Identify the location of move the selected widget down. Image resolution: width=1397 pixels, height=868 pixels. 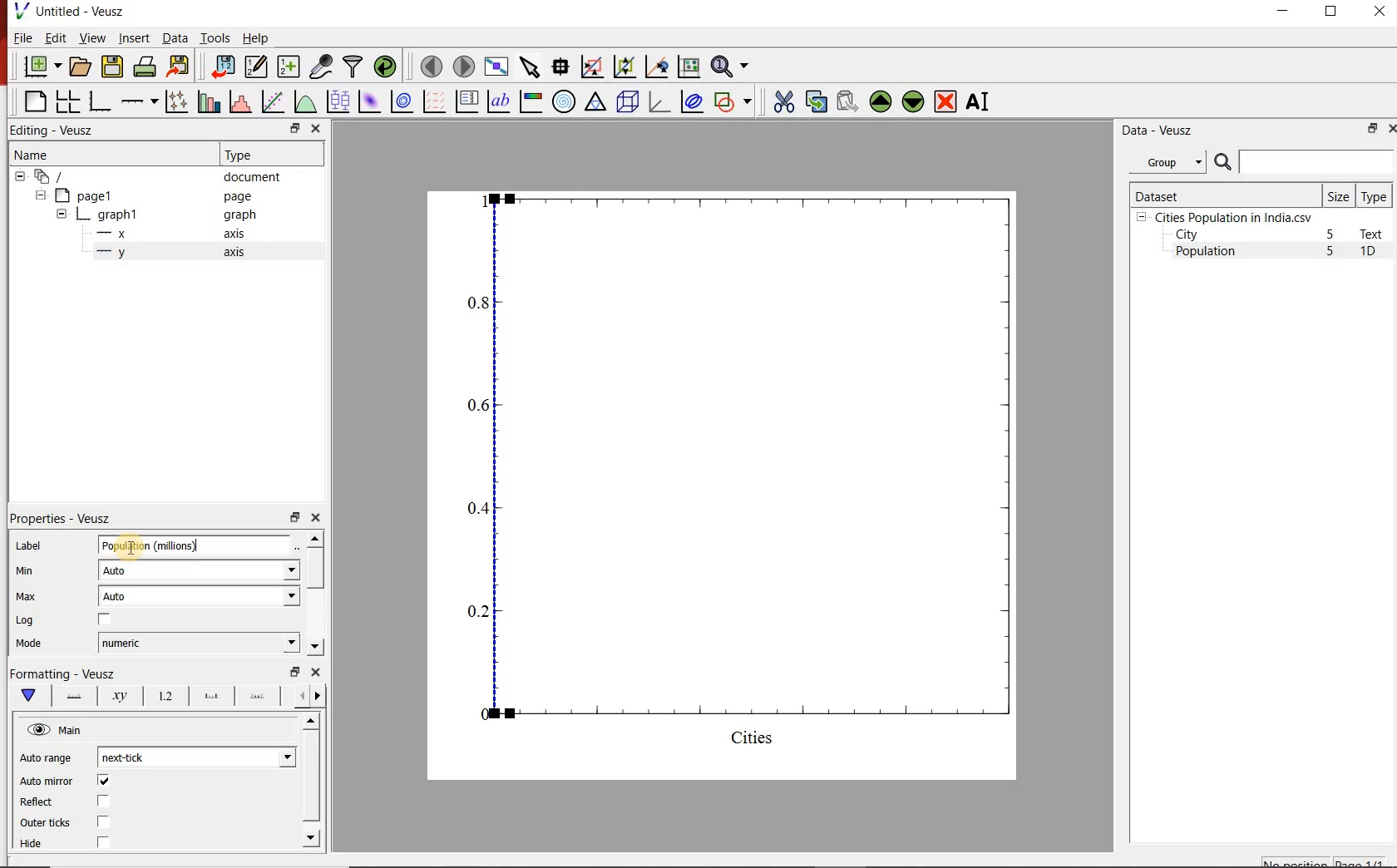
(913, 101).